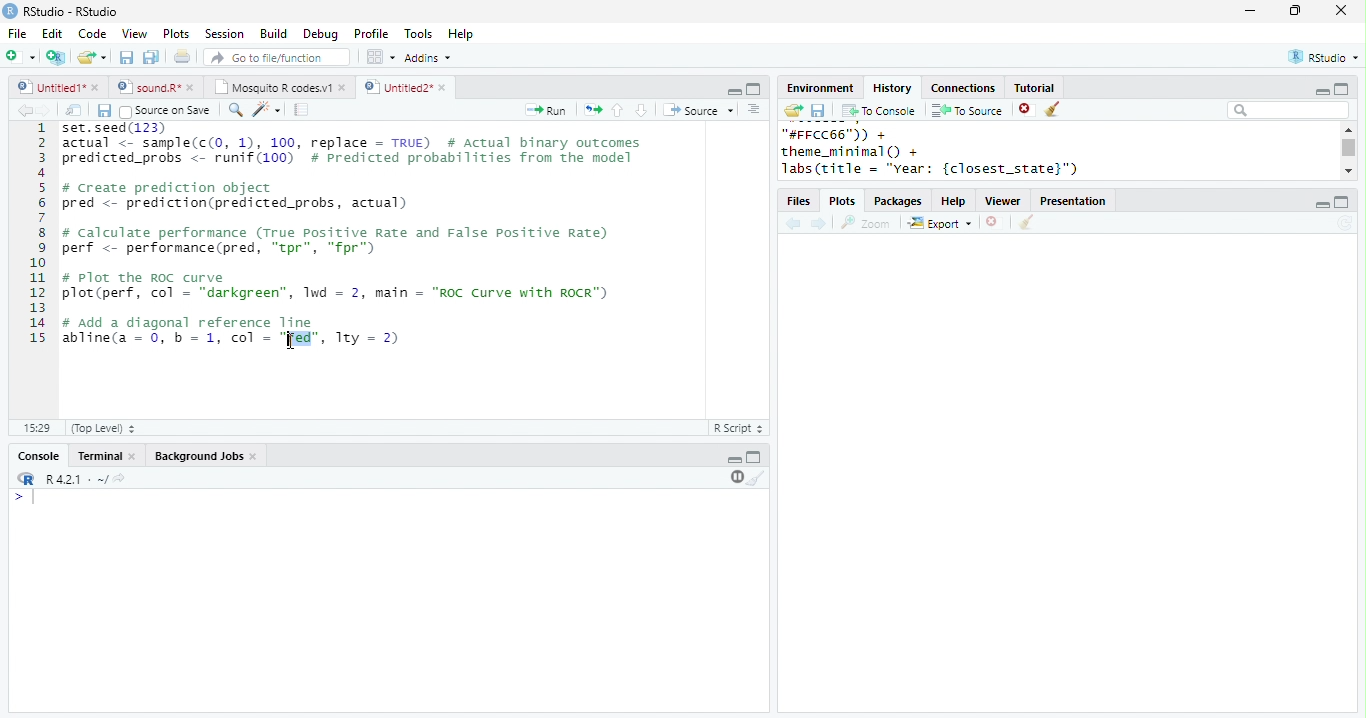 Image resolution: width=1366 pixels, height=718 pixels. What do you see at coordinates (273, 34) in the screenshot?
I see `Build` at bounding box center [273, 34].